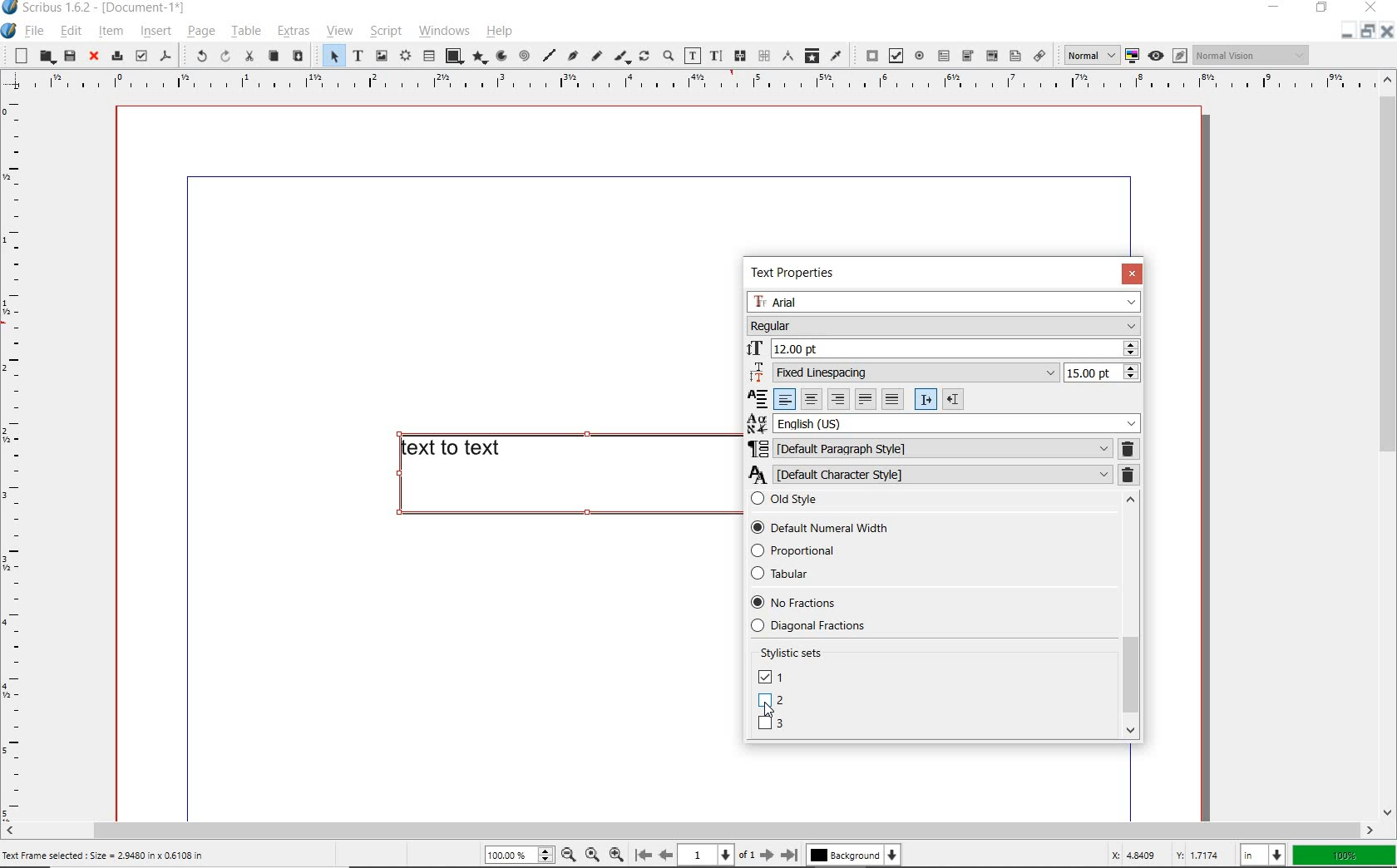  What do you see at coordinates (383, 56) in the screenshot?
I see `image frame` at bounding box center [383, 56].